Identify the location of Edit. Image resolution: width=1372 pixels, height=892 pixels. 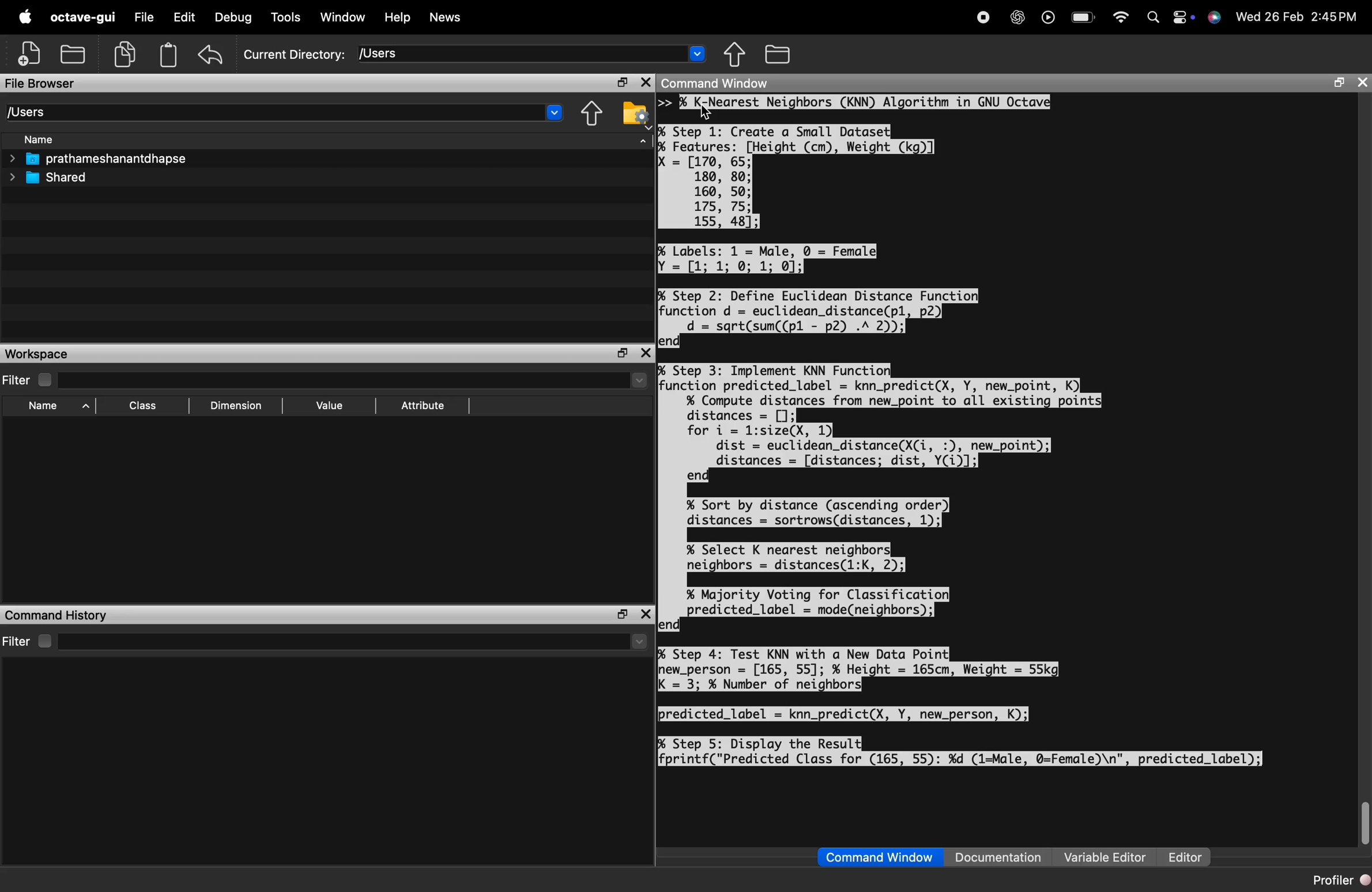
(184, 17).